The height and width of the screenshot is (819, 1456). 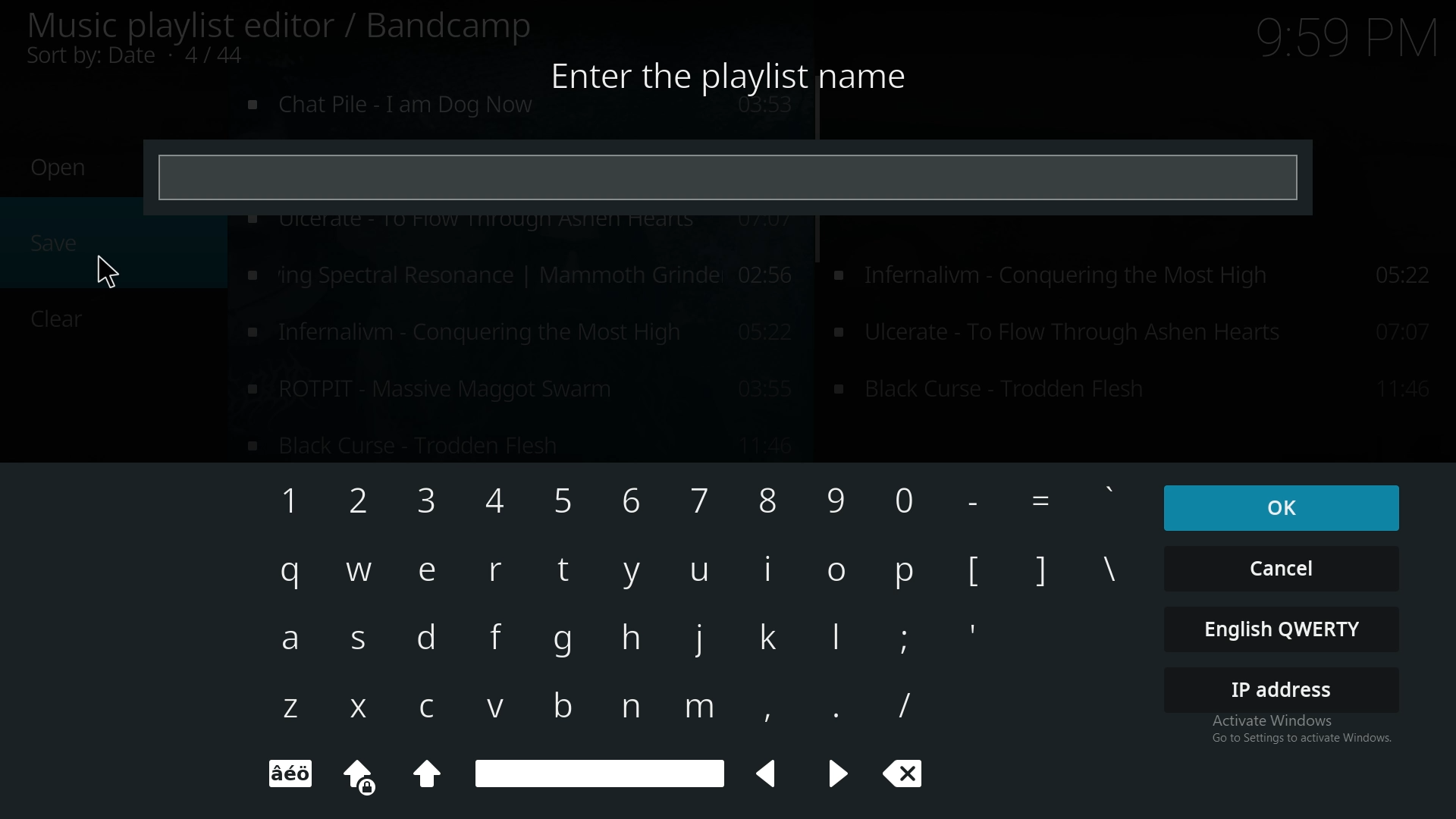 I want to click on keyboard input, so click(x=289, y=712).